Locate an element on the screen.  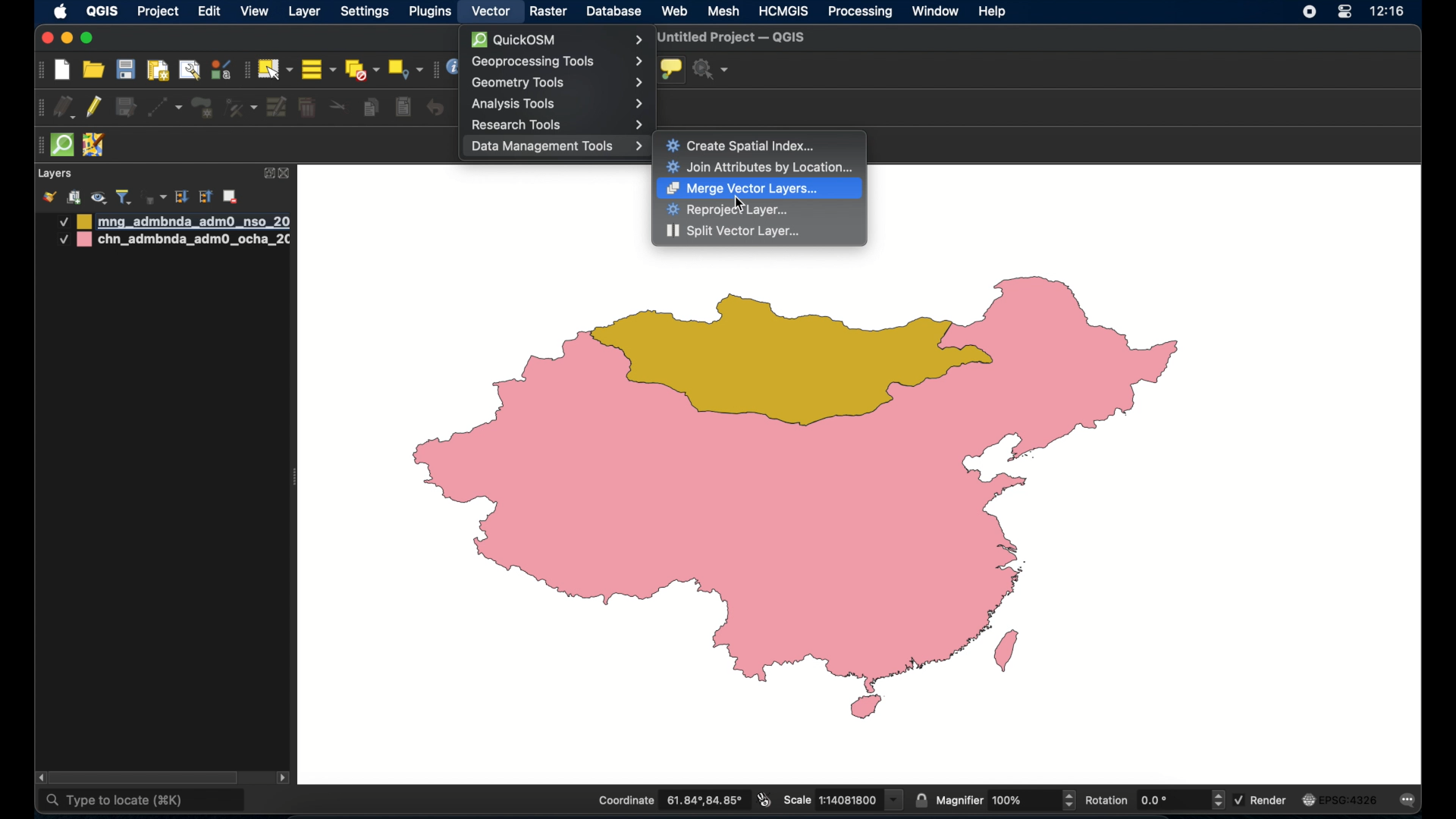
EPSG:4326 is located at coordinates (1340, 801).